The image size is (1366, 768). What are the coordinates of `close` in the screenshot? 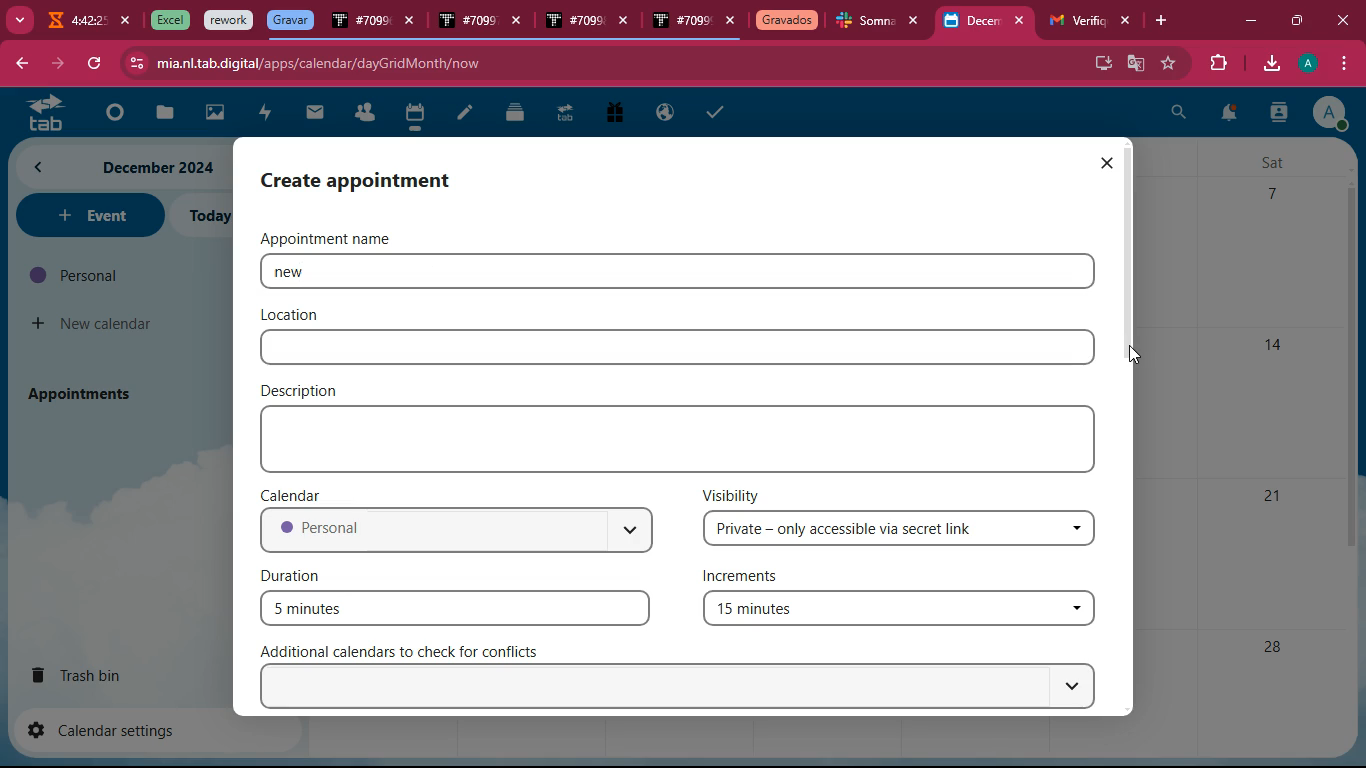 It's located at (731, 22).